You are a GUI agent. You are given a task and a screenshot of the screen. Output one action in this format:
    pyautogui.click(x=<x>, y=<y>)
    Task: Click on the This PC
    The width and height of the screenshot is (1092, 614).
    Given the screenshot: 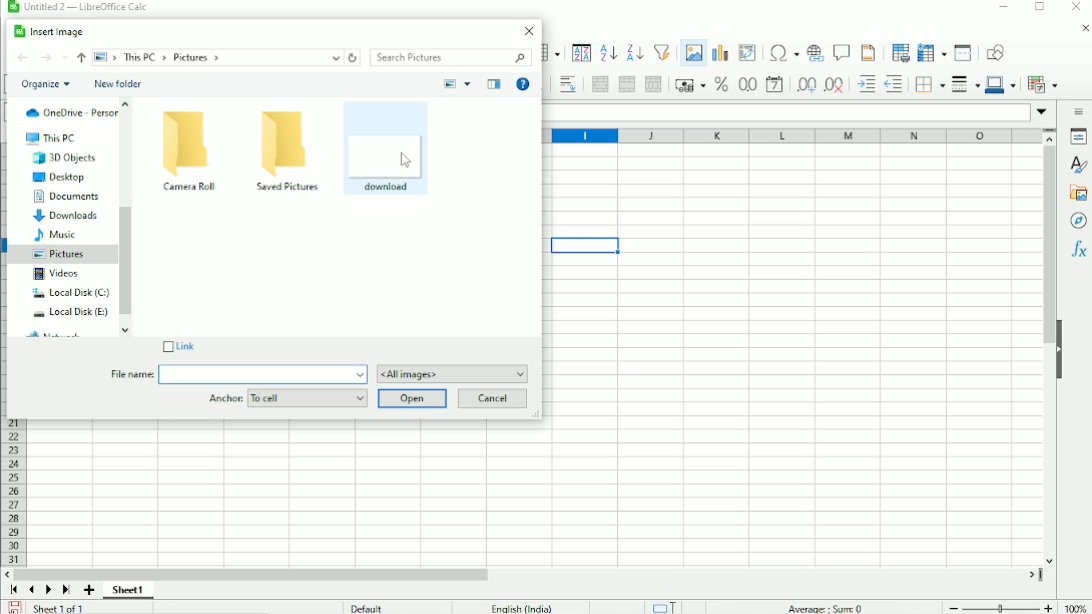 What is the action you would take?
    pyautogui.click(x=51, y=138)
    